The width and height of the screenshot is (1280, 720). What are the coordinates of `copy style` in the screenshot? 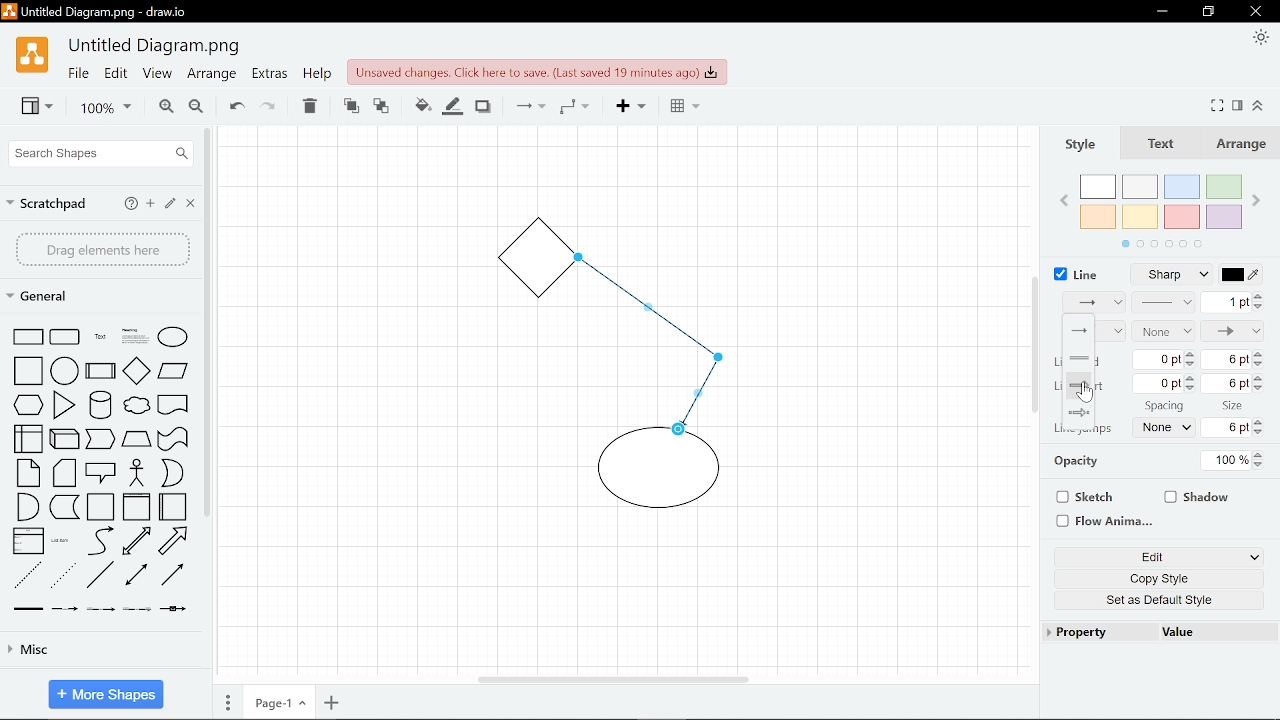 It's located at (1154, 581).